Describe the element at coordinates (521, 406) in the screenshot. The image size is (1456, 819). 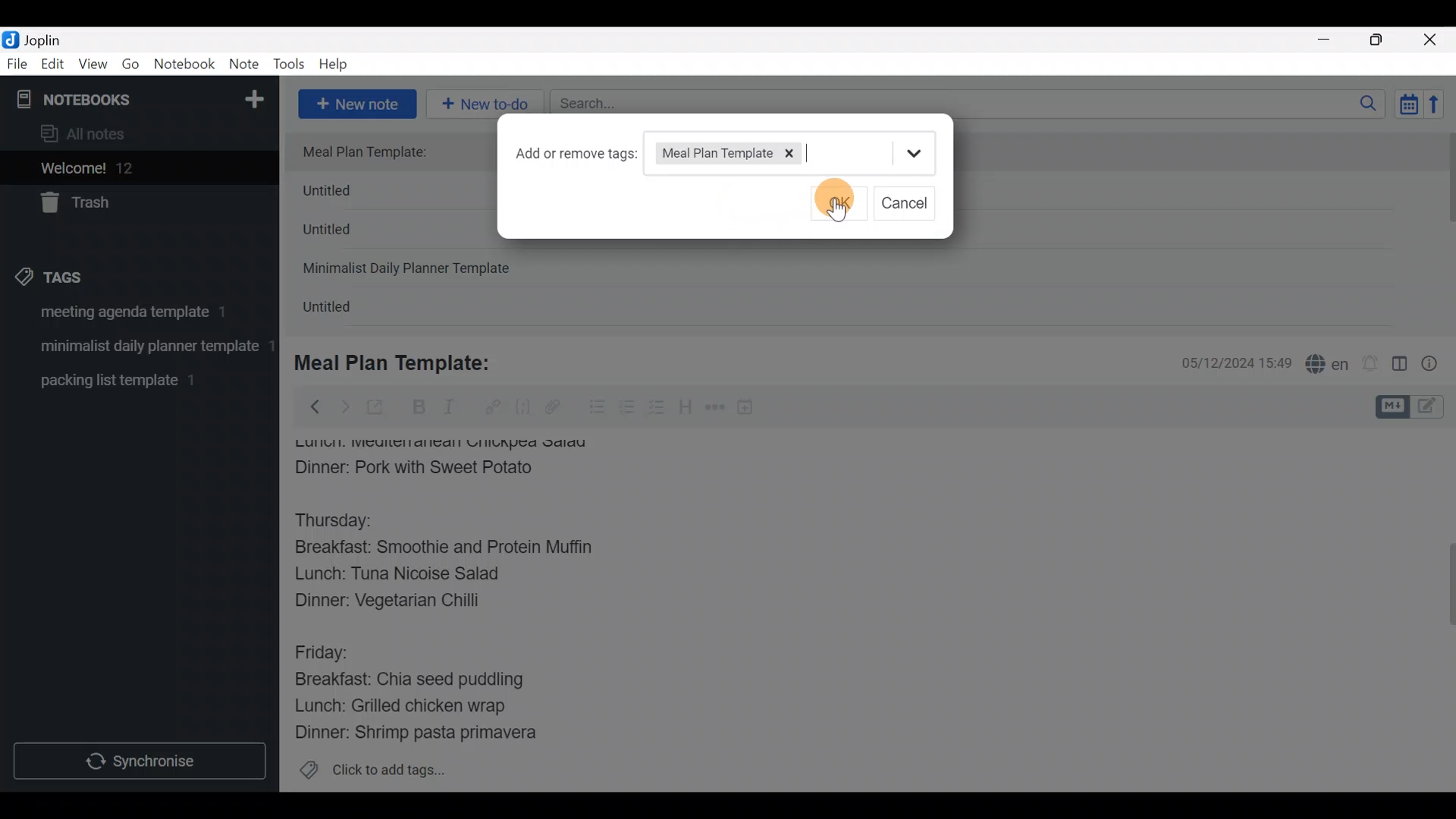
I see `Code` at that location.